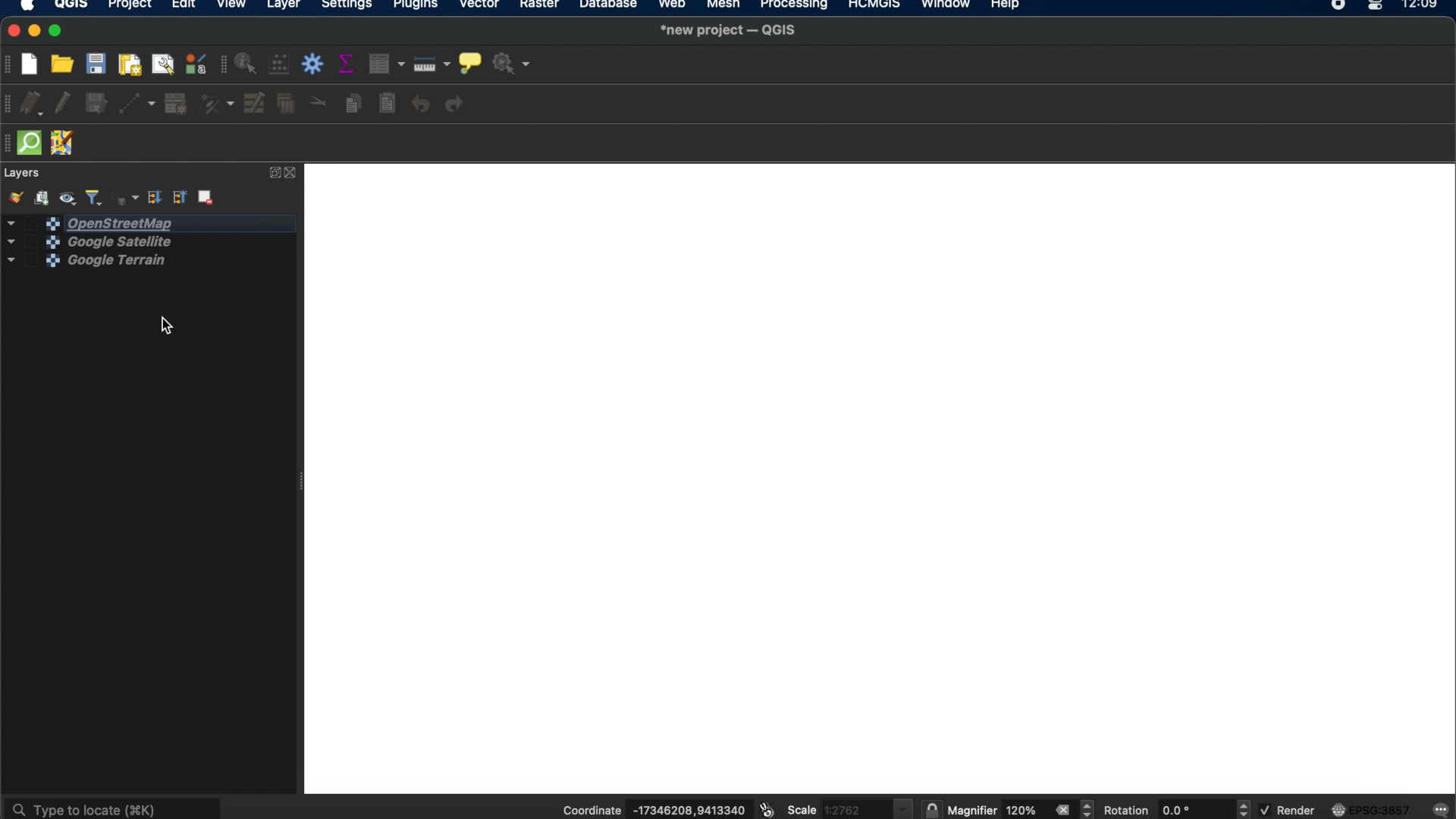 The image size is (1456, 819). Describe the element at coordinates (139, 103) in the screenshot. I see `digitize with segment` at that location.